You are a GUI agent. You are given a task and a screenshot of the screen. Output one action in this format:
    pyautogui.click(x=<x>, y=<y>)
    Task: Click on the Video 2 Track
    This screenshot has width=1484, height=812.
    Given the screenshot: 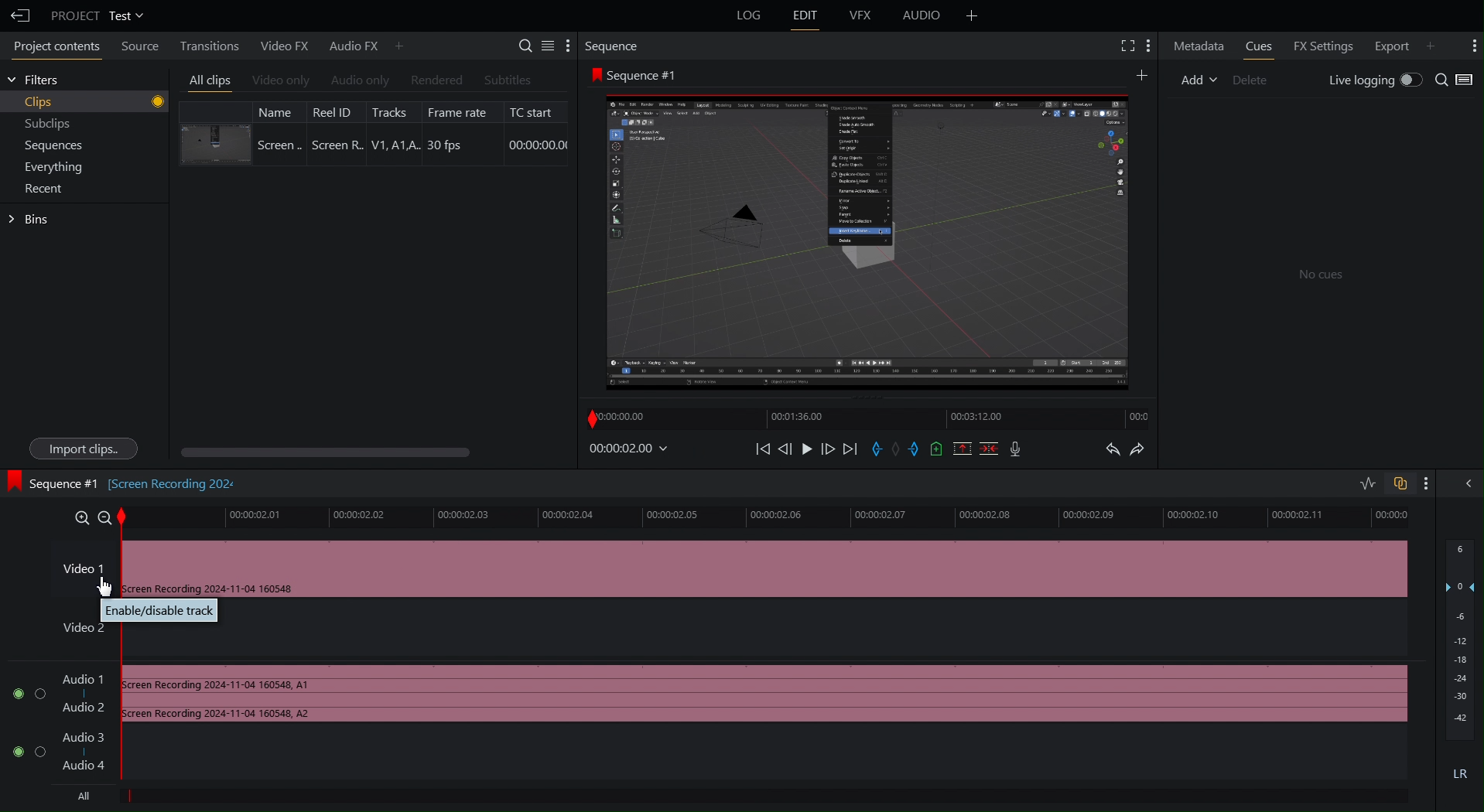 What is the action you would take?
    pyautogui.click(x=714, y=642)
    